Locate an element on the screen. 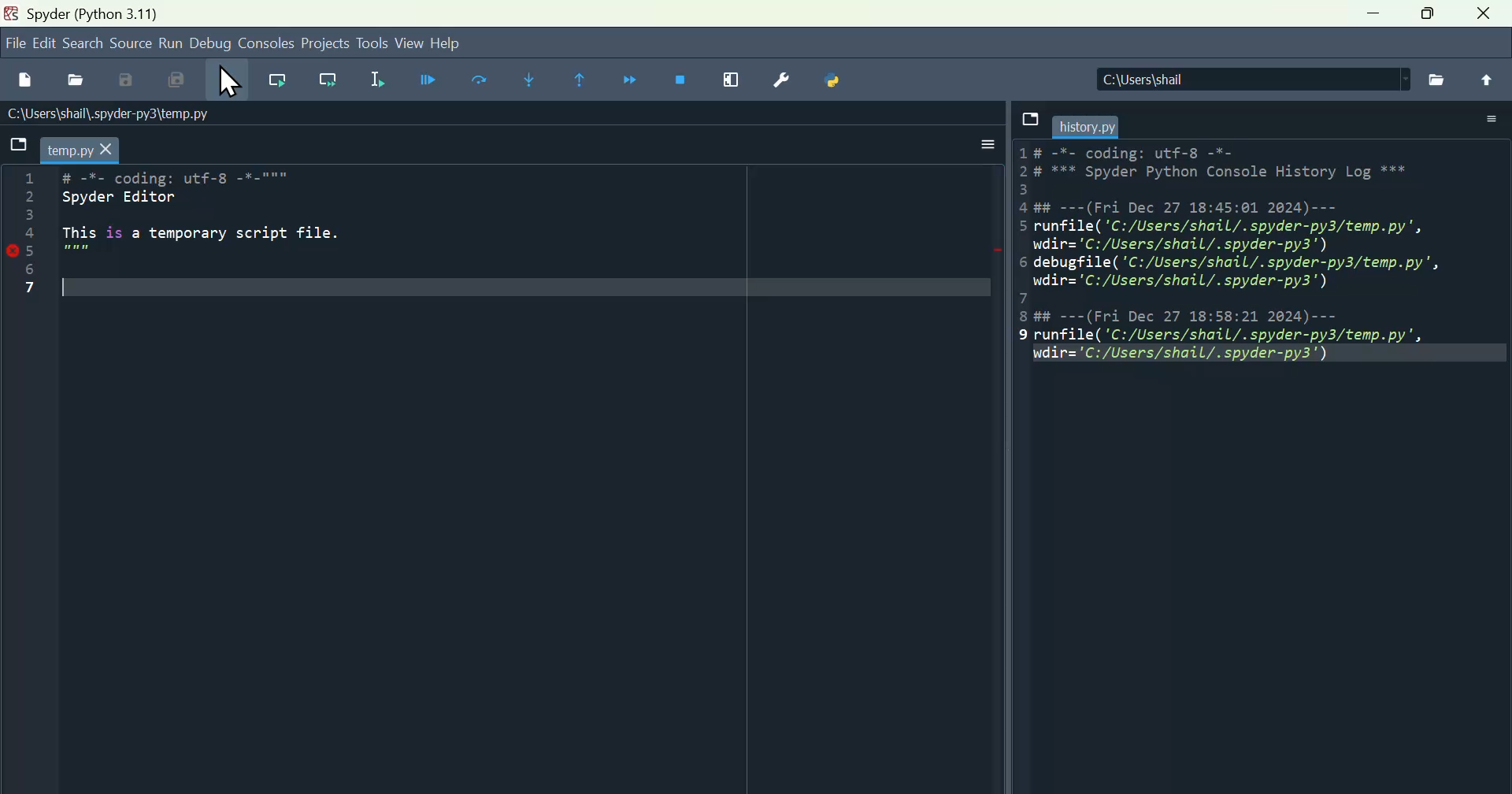 The image size is (1512, 794). History pane - 1#-*- coding: utf-8 -*- 2*** Spyder Python Console History Log*** 3 4(Fri Dec 27 18:45:01 2024)... 5 runfile("C:/Users/shail/.spyder-py3/temp.py", wdir='C:/Users/shail/.spyder-py3') 6 debugfile('C:/Users/shail/.spyder-py3/temp.py", udir='C:/Users/shail/.spyder-py3') 7 8#(Fri Dec 27 18:58:21 2024) 9 runfile("C:/Users/shail/.spyder-py3/temp.py", udir='C:/Users/shall/.spyder-py3) is located at coordinates (1260, 261).